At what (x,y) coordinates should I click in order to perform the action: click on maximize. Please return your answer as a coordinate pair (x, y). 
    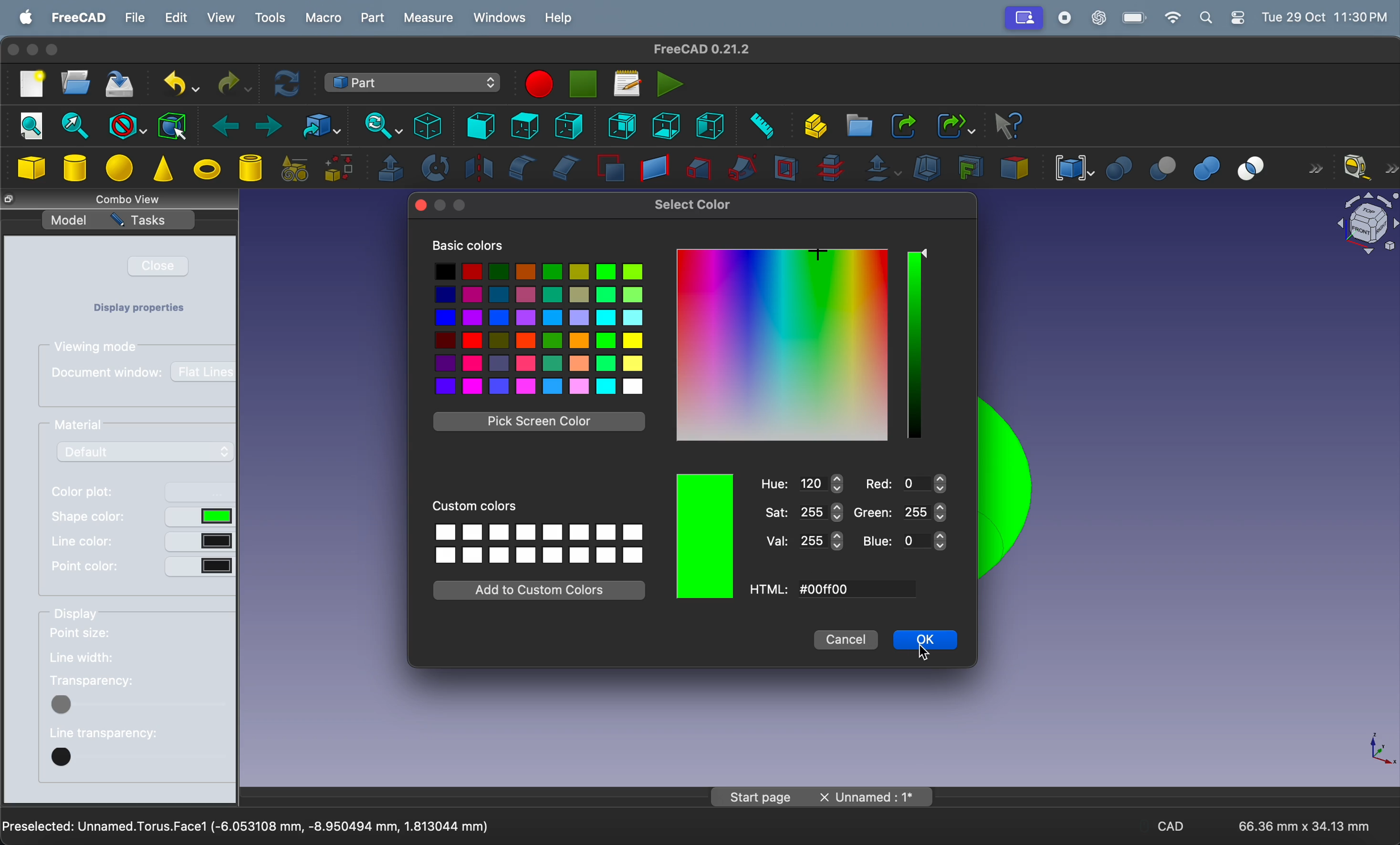
    Looking at the image, I should click on (52, 50).